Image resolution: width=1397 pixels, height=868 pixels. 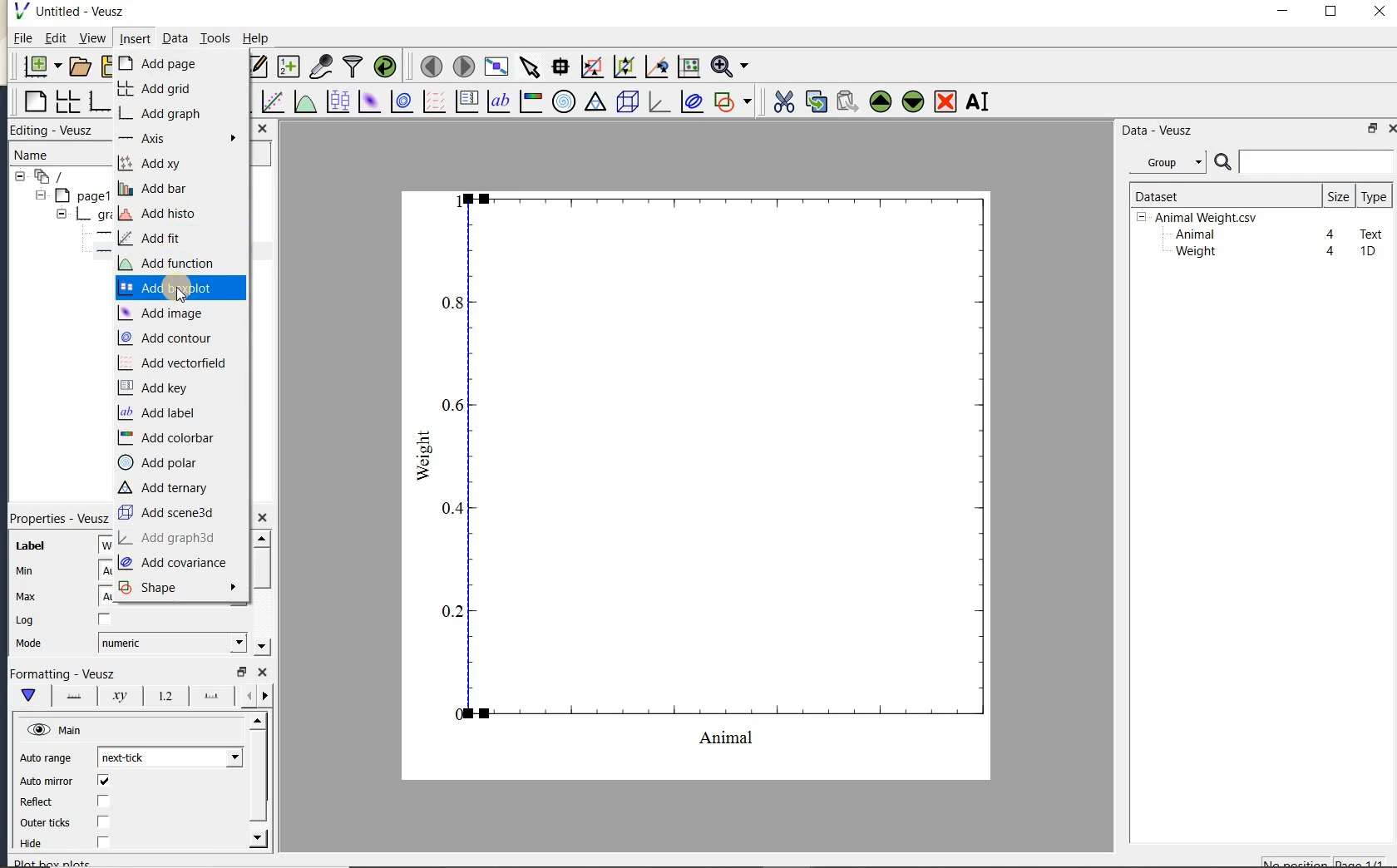 What do you see at coordinates (57, 731) in the screenshot?
I see `Main` at bounding box center [57, 731].